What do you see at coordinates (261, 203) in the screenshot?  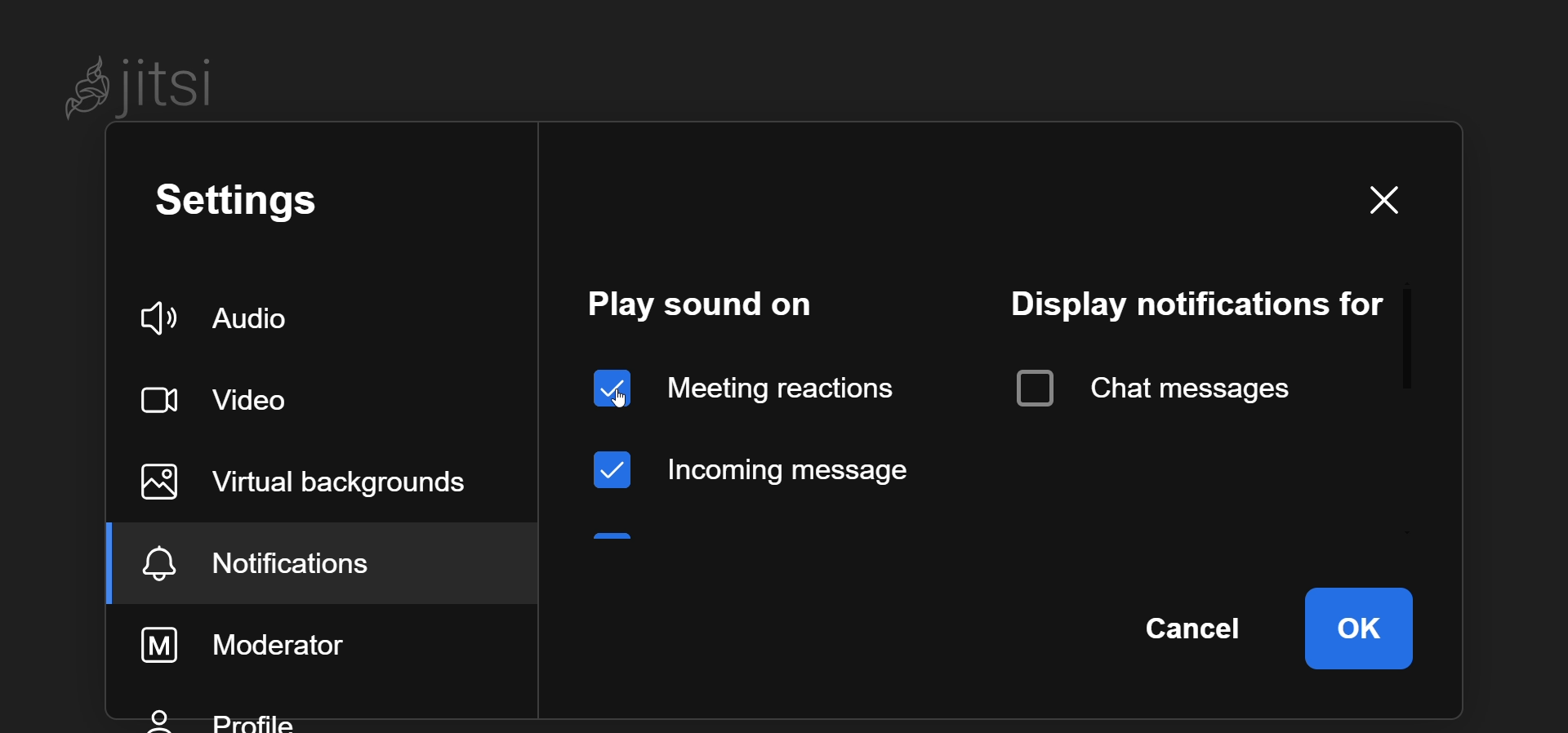 I see `setting` at bounding box center [261, 203].